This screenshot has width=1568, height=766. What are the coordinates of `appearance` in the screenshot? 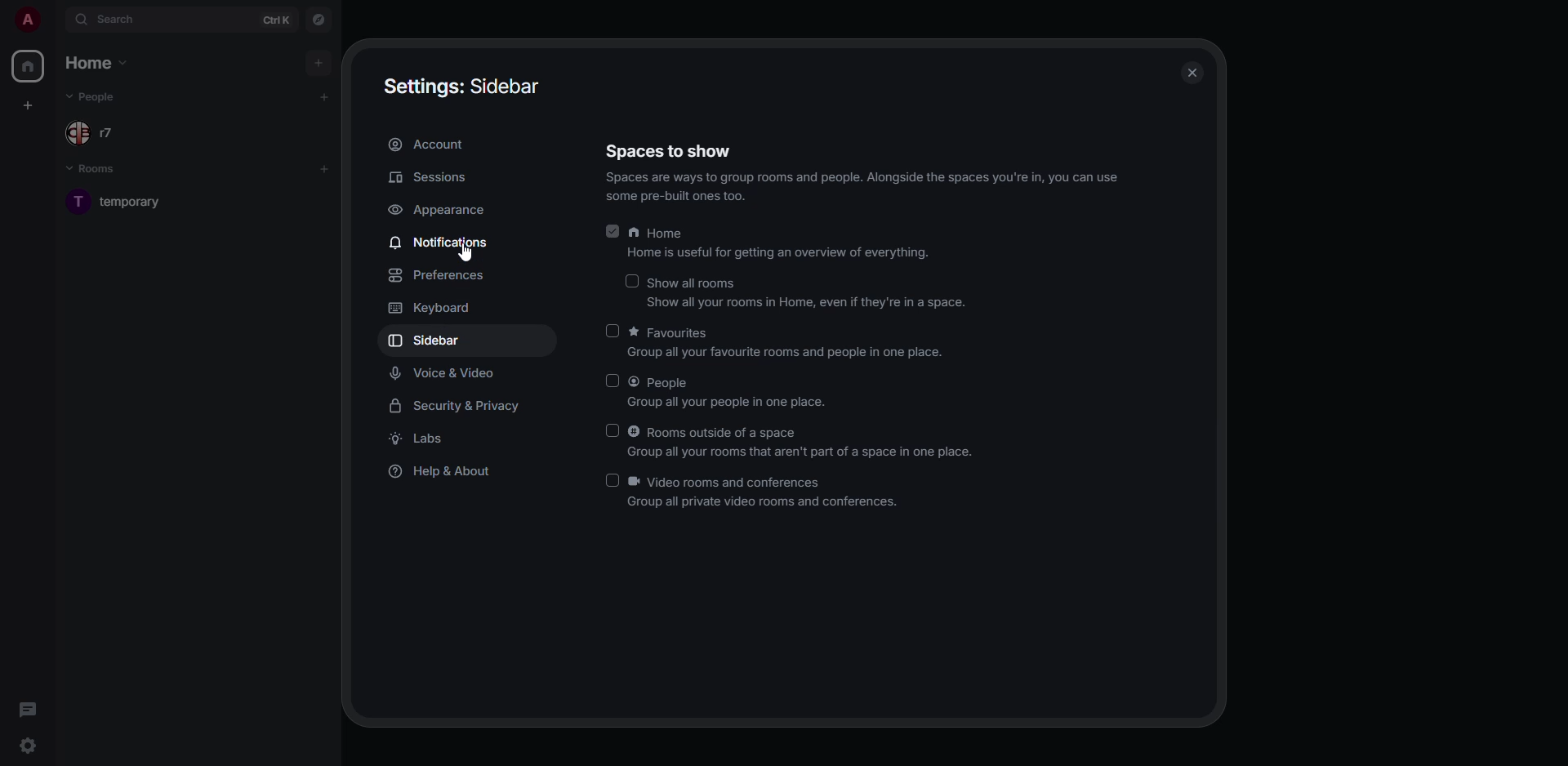 It's located at (439, 212).